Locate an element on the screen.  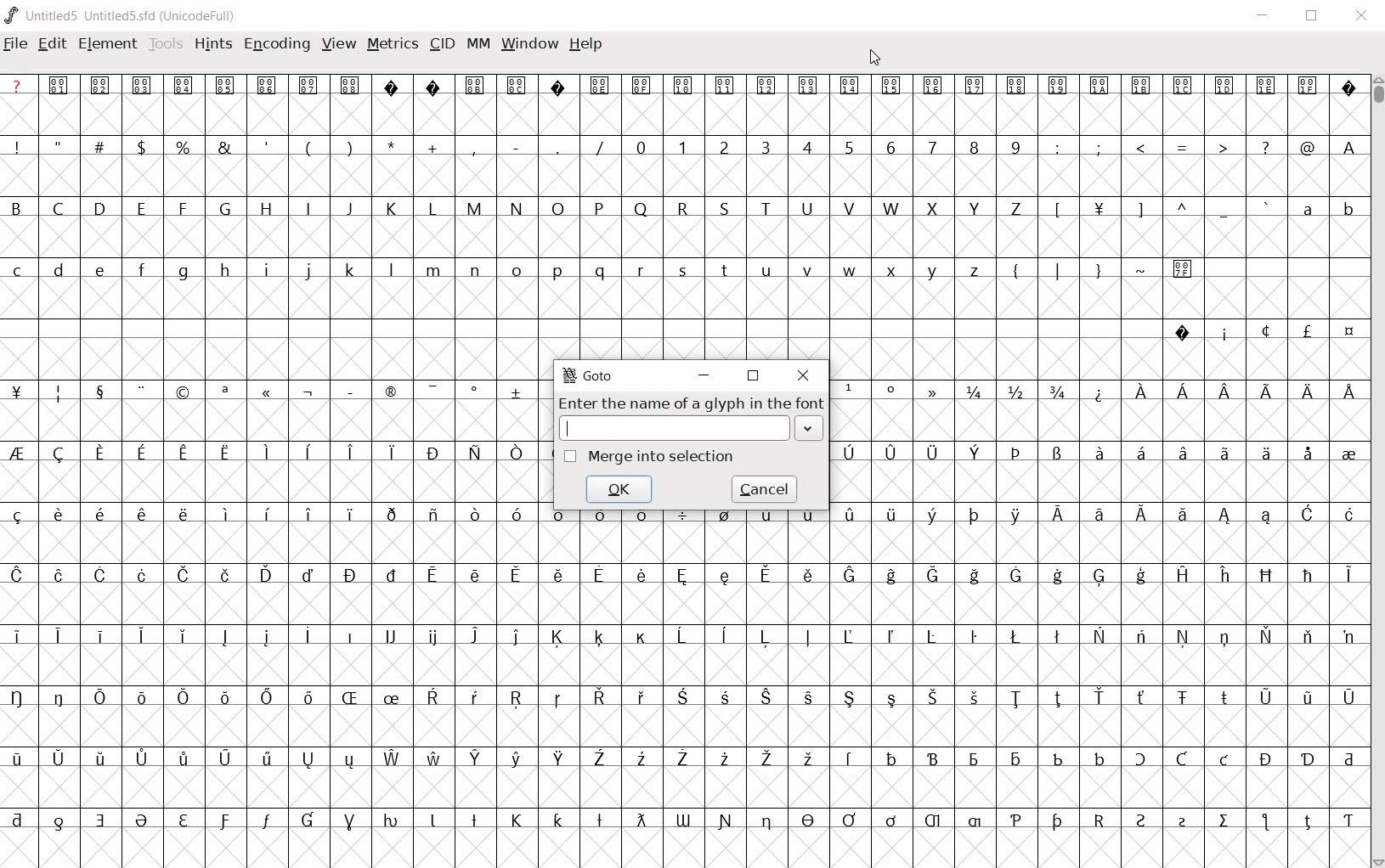
Symbol is located at coordinates (266, 449).